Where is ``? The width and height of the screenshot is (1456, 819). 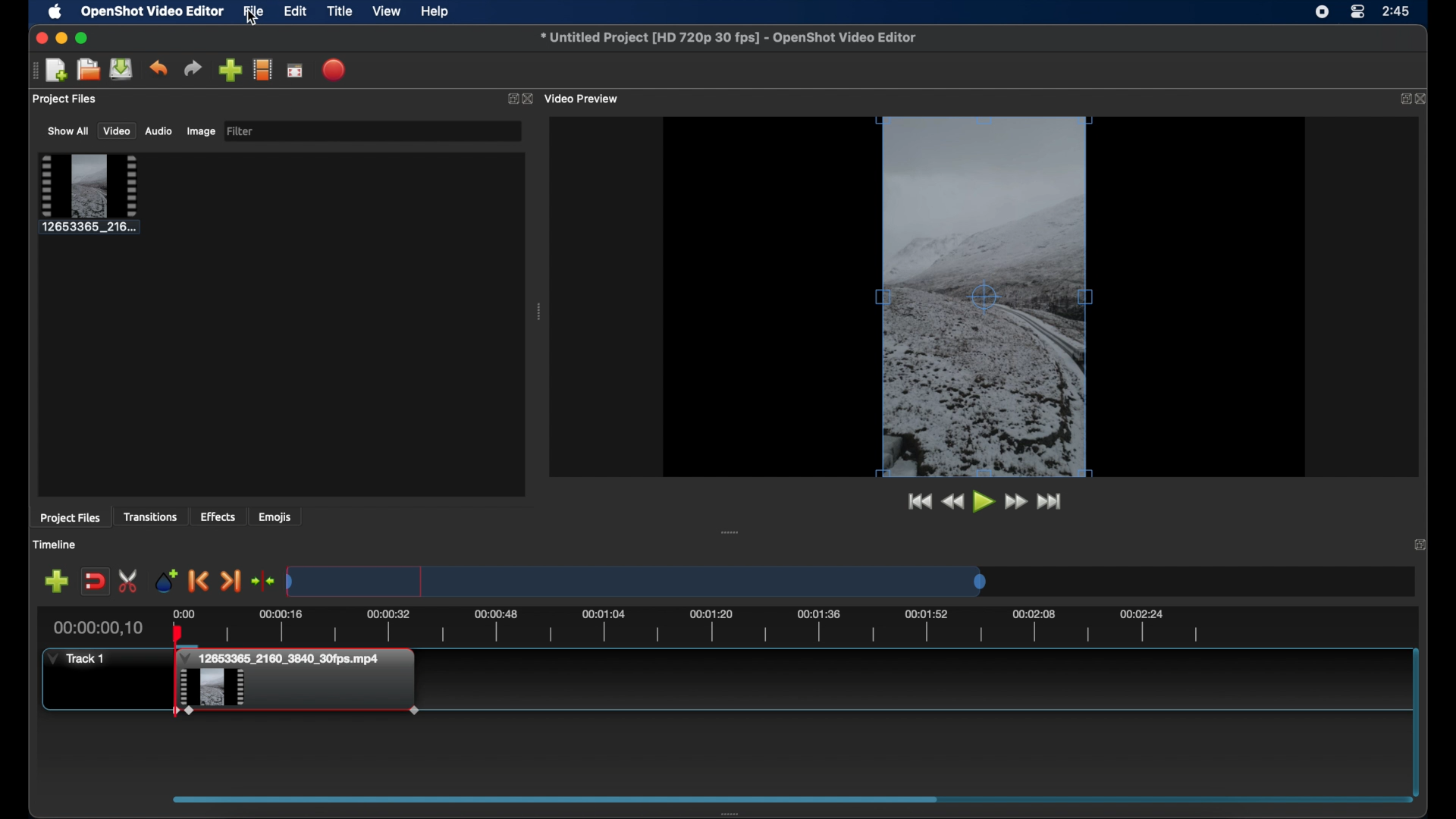  is located at coordinates (263, 581).